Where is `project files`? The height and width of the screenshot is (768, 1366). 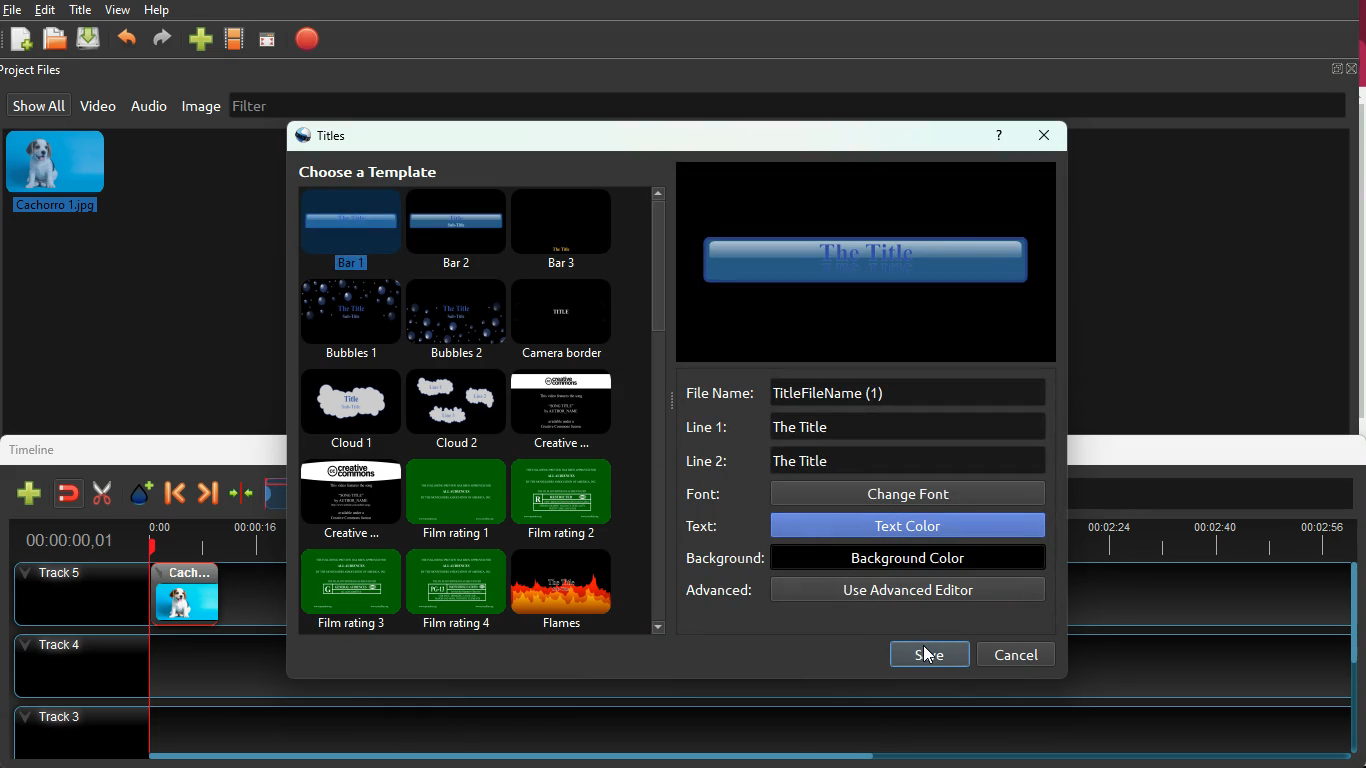 project files is located at coordinates (36, 71).